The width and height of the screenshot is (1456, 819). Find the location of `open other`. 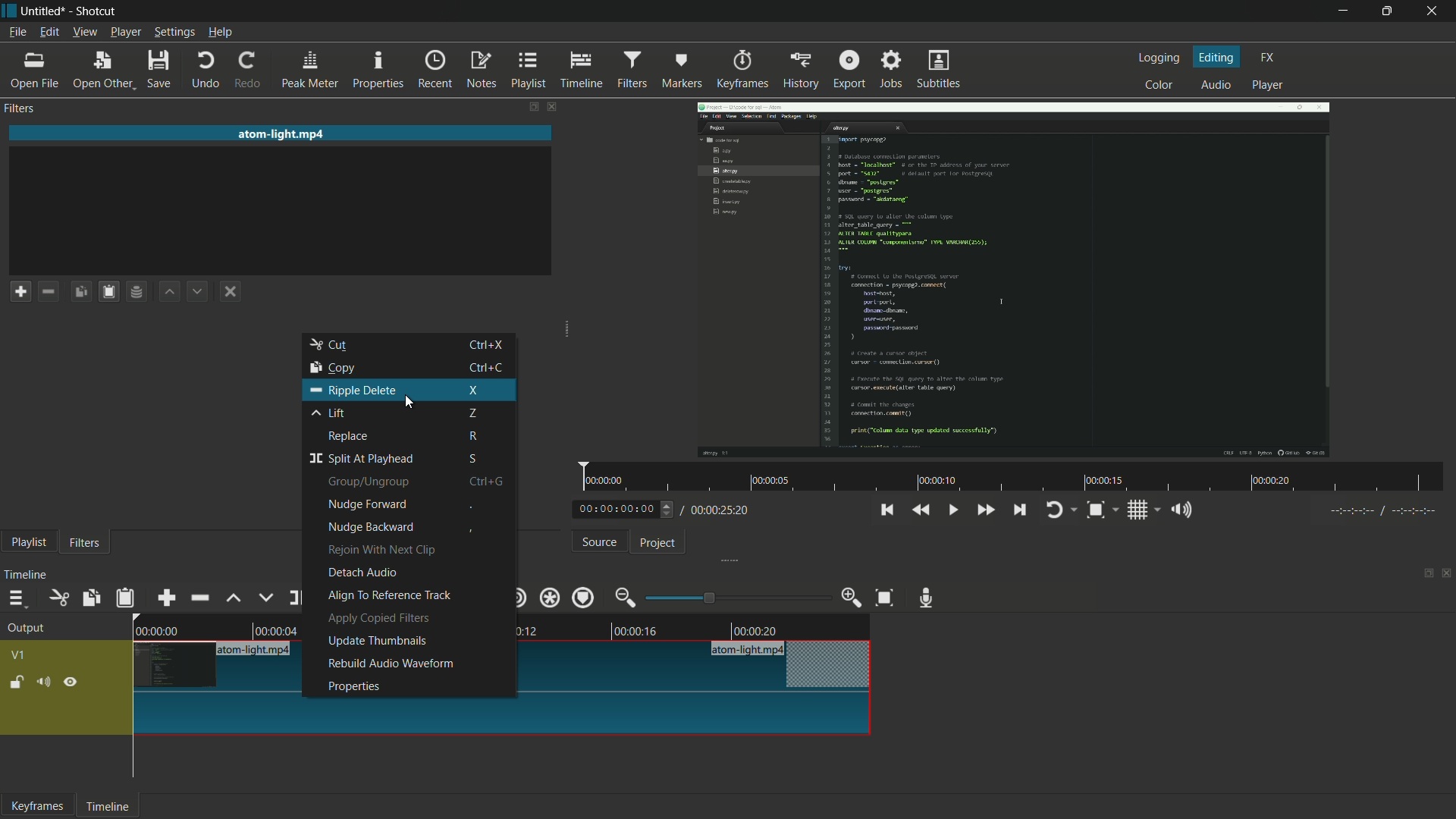

open other is located at coordinates (102, 69).